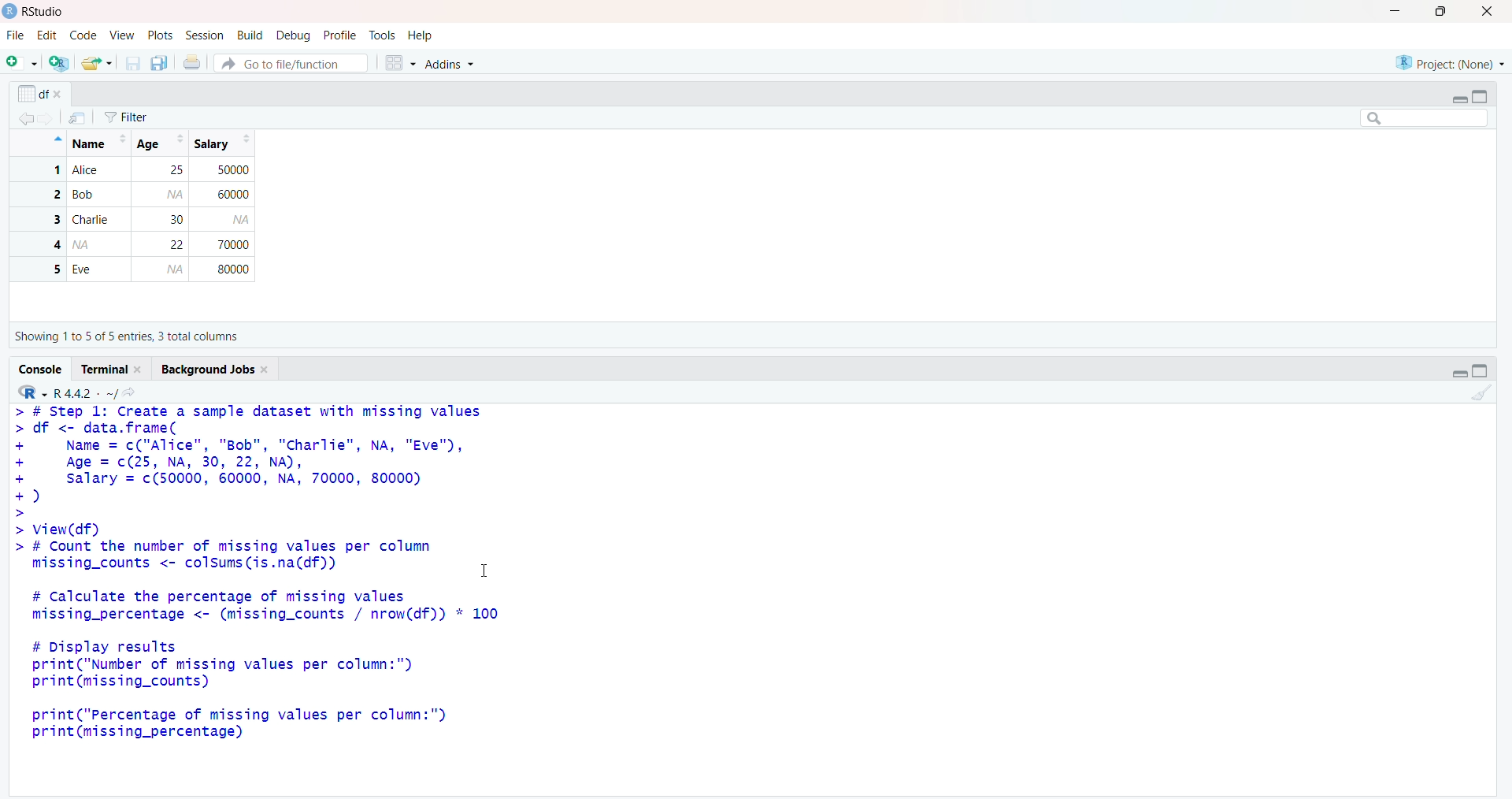 The image size is (1512, 799). Describe the element at coordinates (1392, 11) in the screenshot. I see `Minimize` at that location.